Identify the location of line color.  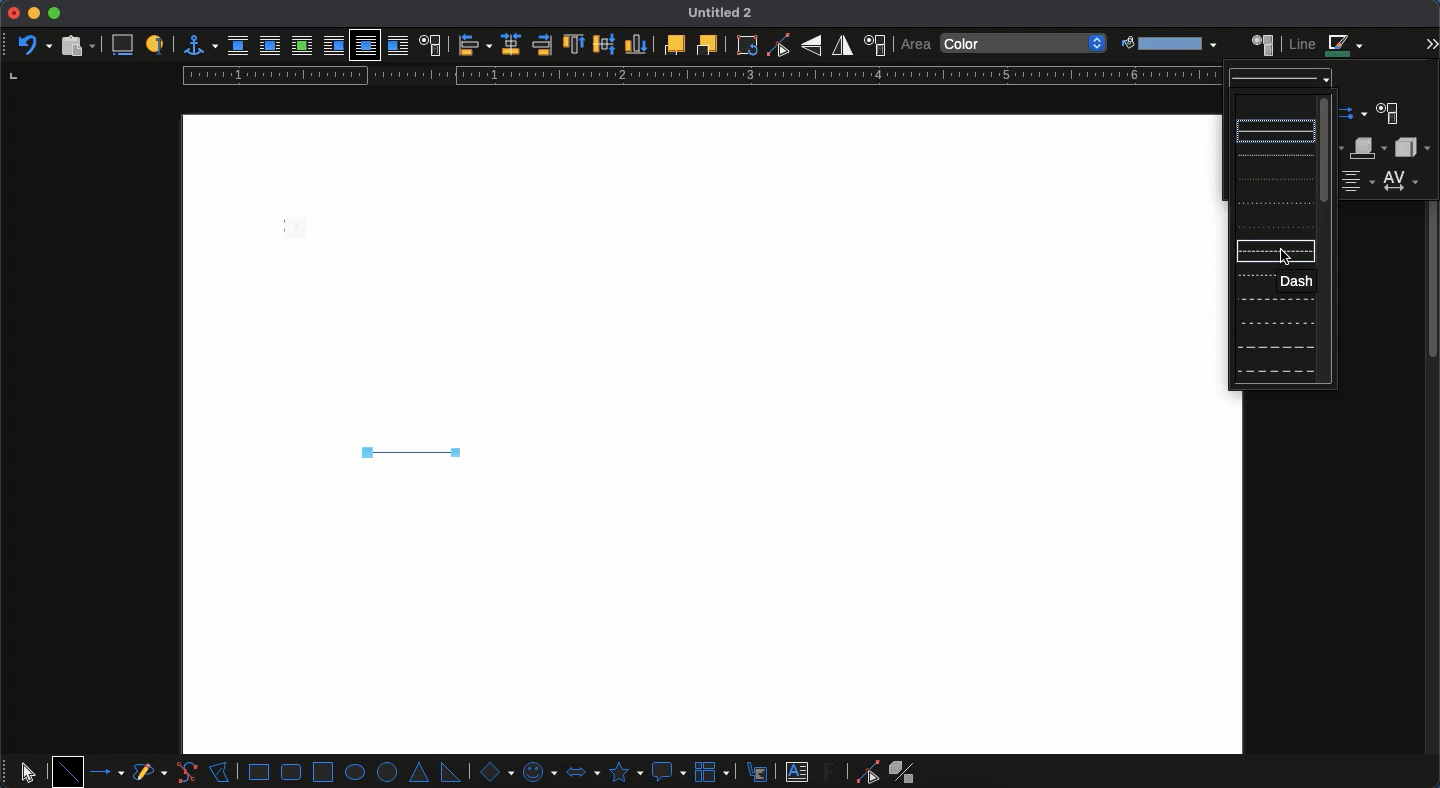
(1327, 45).